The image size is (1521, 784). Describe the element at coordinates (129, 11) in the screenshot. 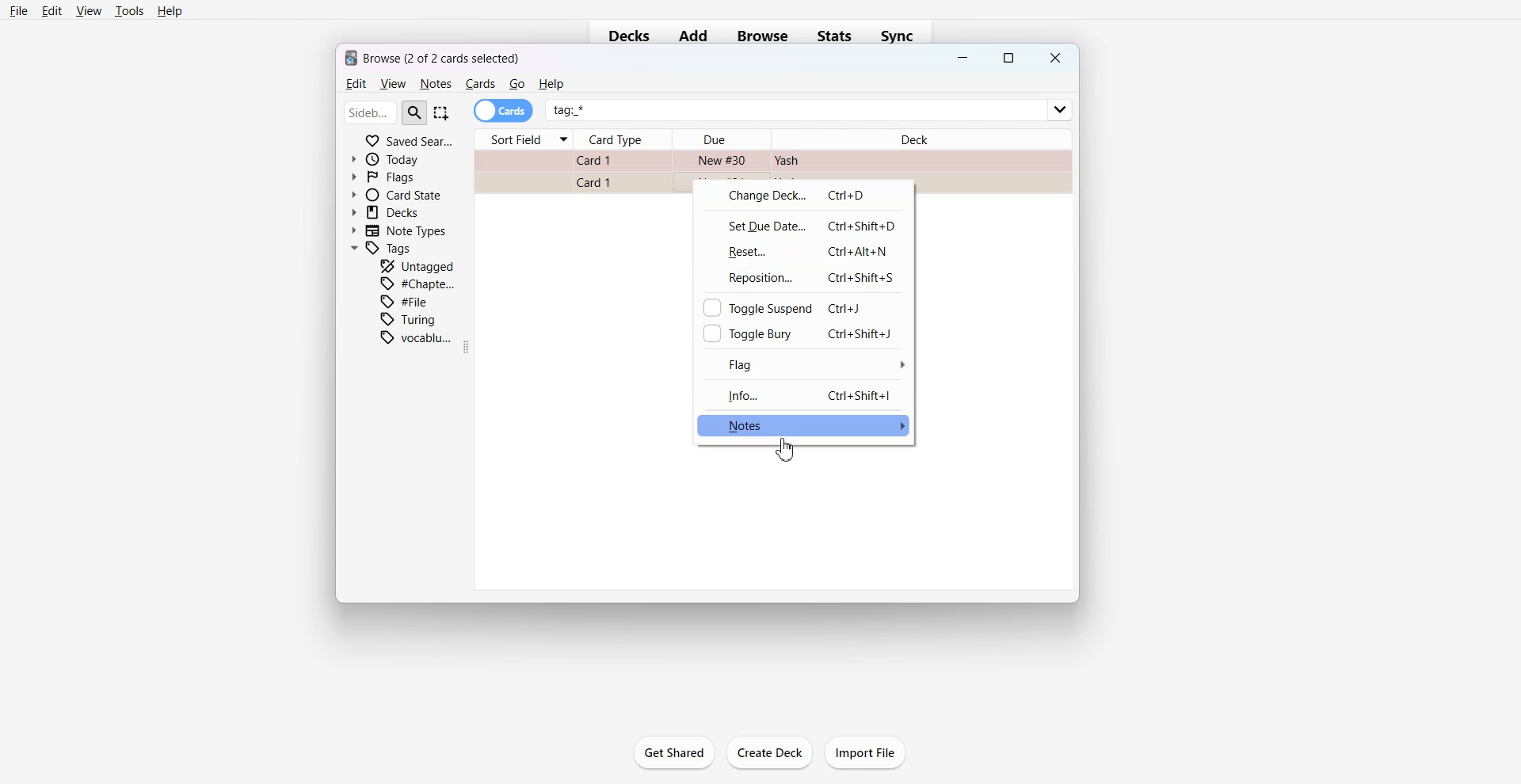

I see `Tools` at that location.